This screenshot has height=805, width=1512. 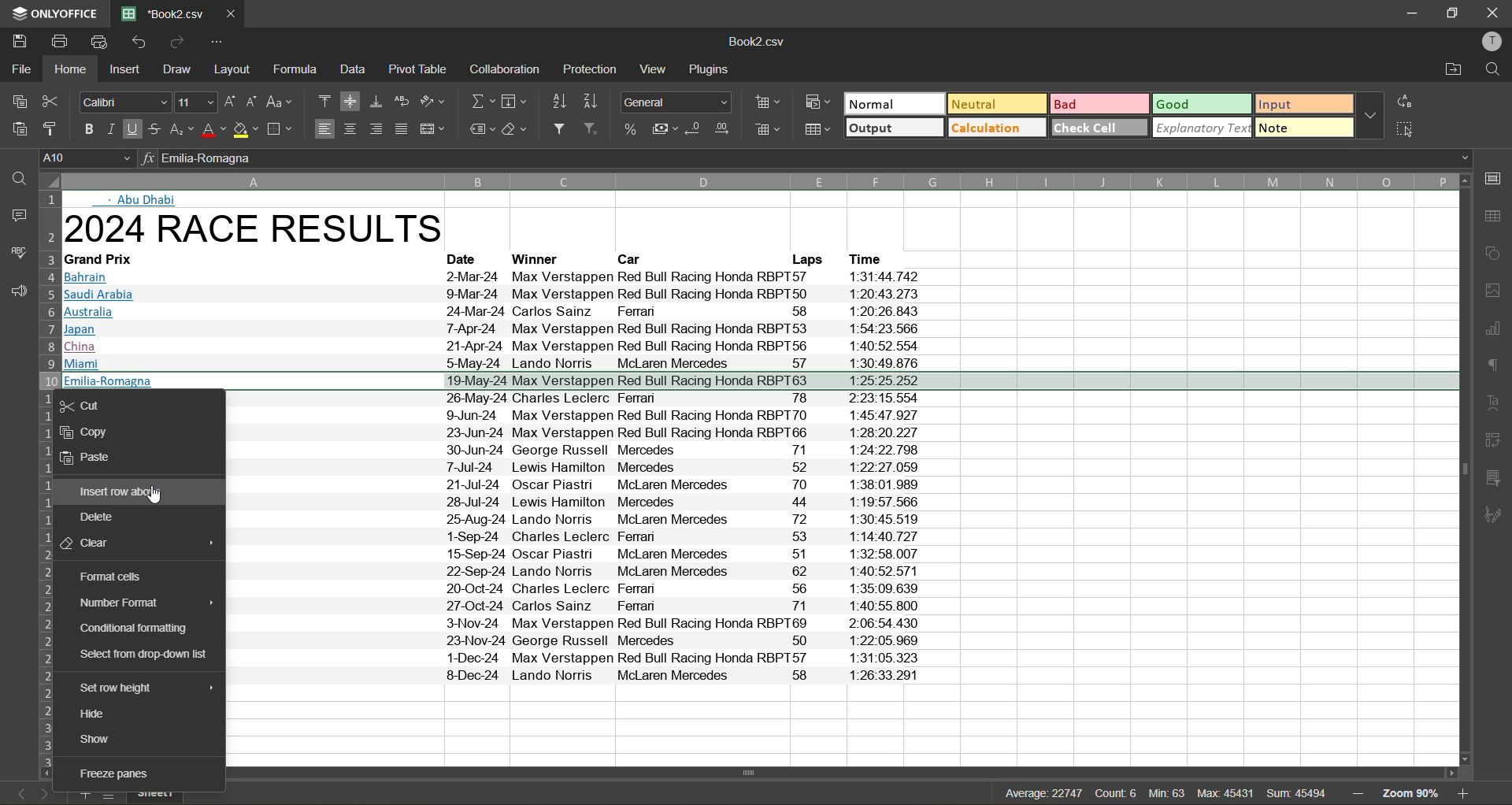 I want to click on hide, so click(x=99, y=712).